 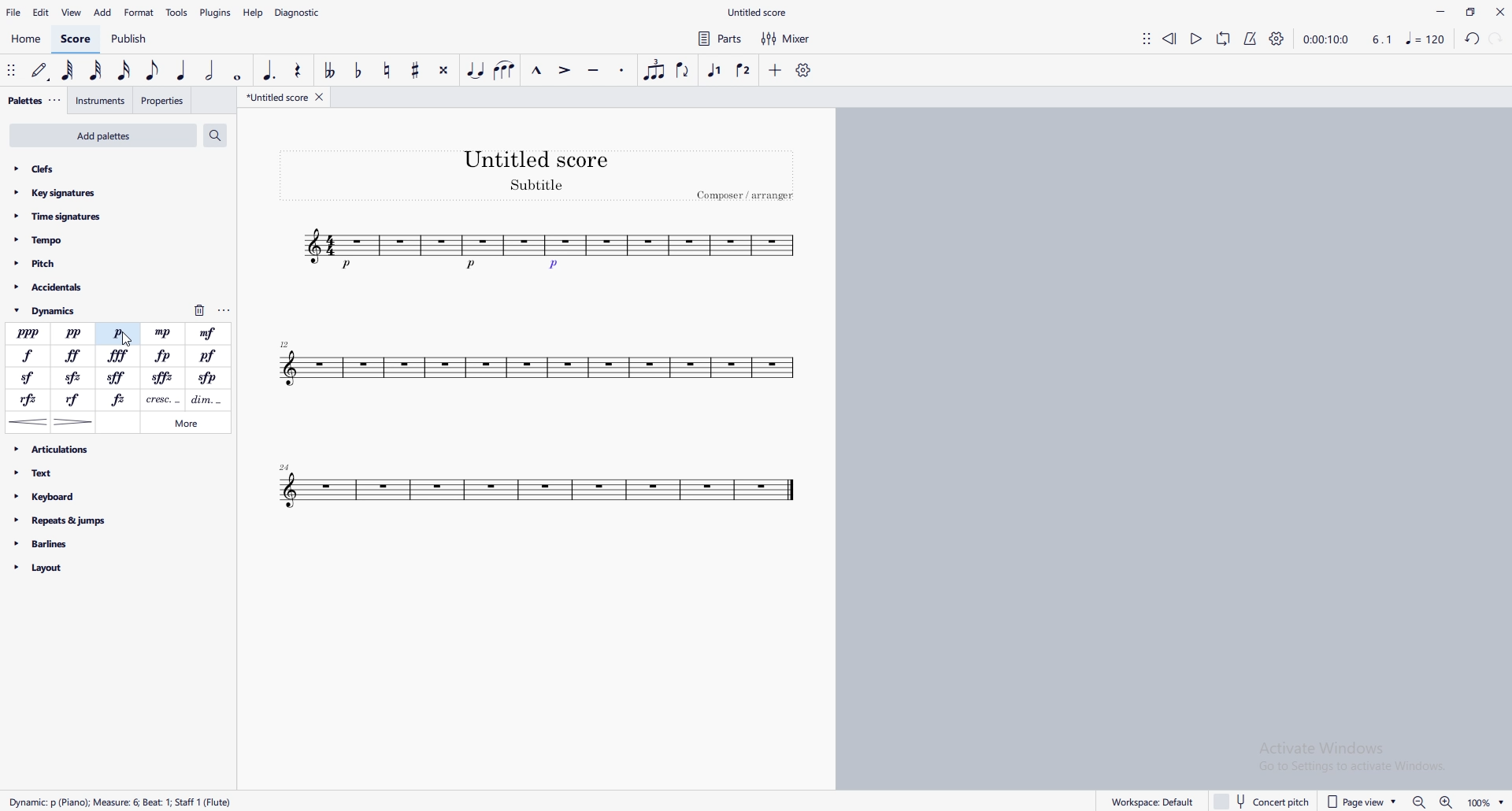 What do you see at coordinates (98, 72) in the screenshot?
I see `32nd note` at bounding box center [98, 72].